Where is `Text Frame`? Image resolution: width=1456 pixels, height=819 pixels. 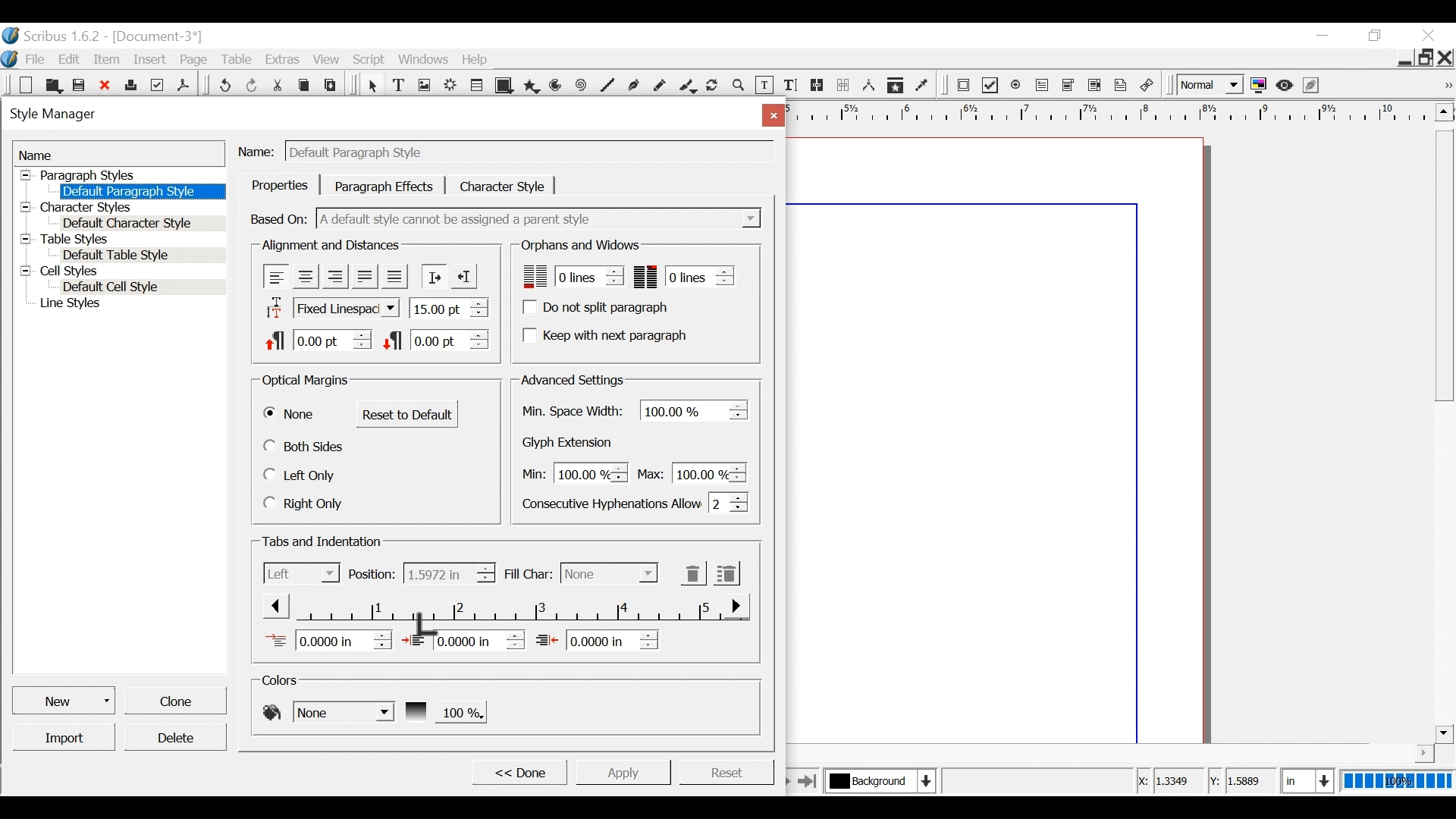
Text Frame is located at coordinates (399, 86).